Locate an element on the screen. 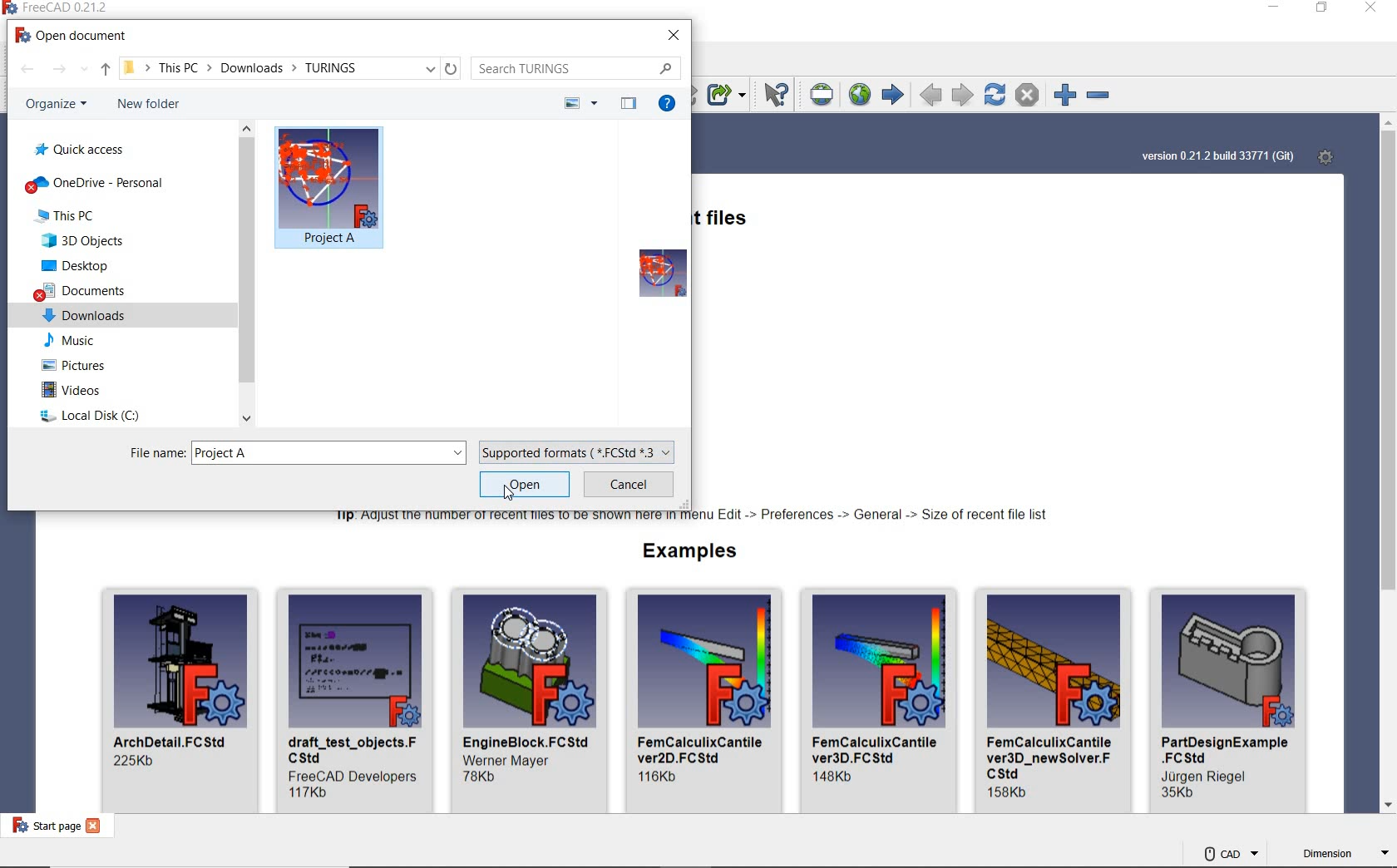 This screenshot has height=868, width=1397. SELECT A FILE TO PREVIEW is located at coordinates (652, 274).